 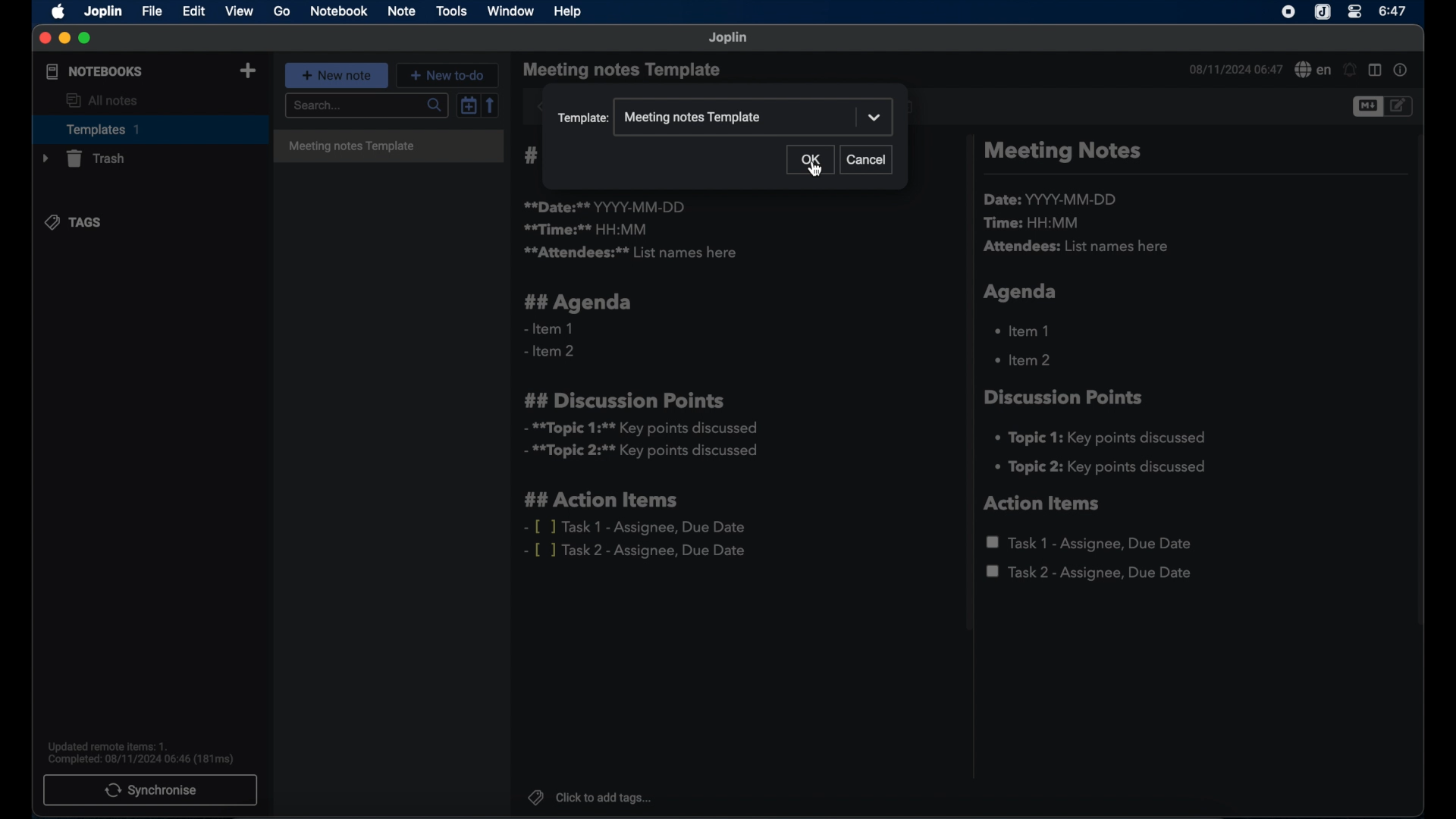 I want to click on control center, so click(x=1355, y=13).